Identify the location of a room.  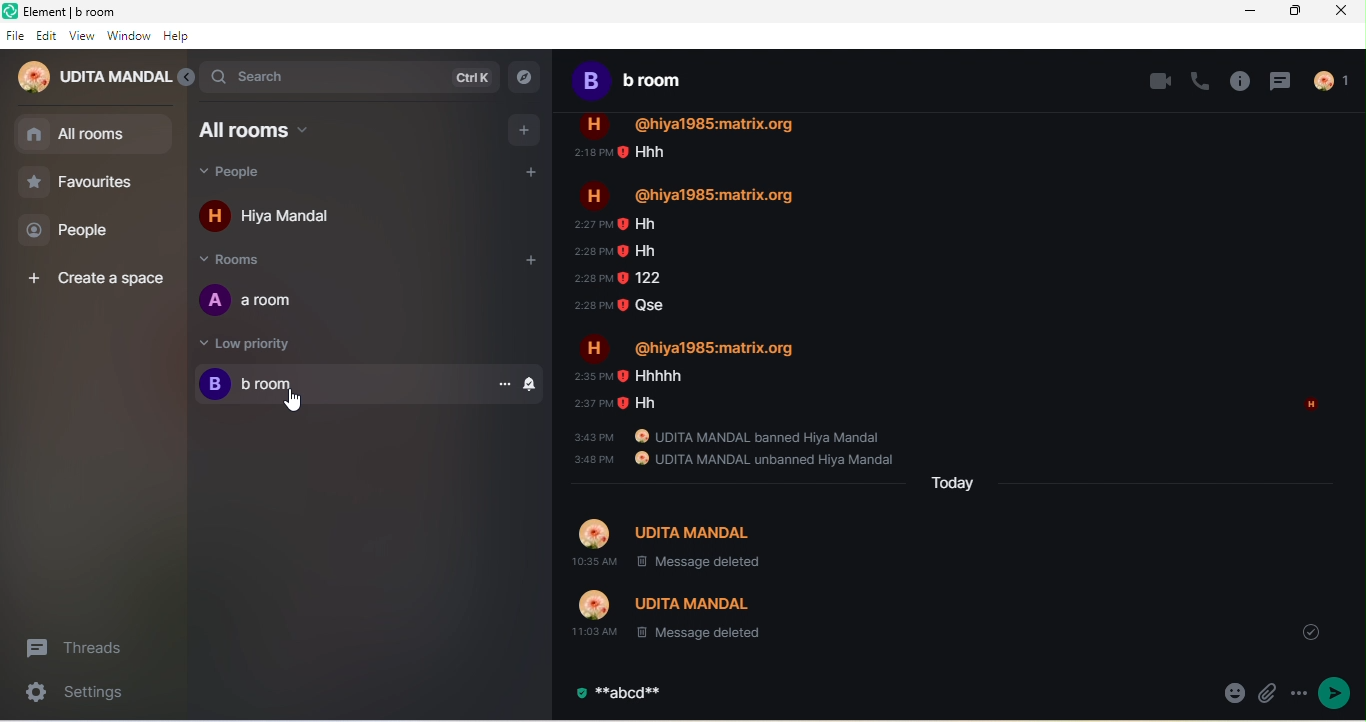
(264, 303).